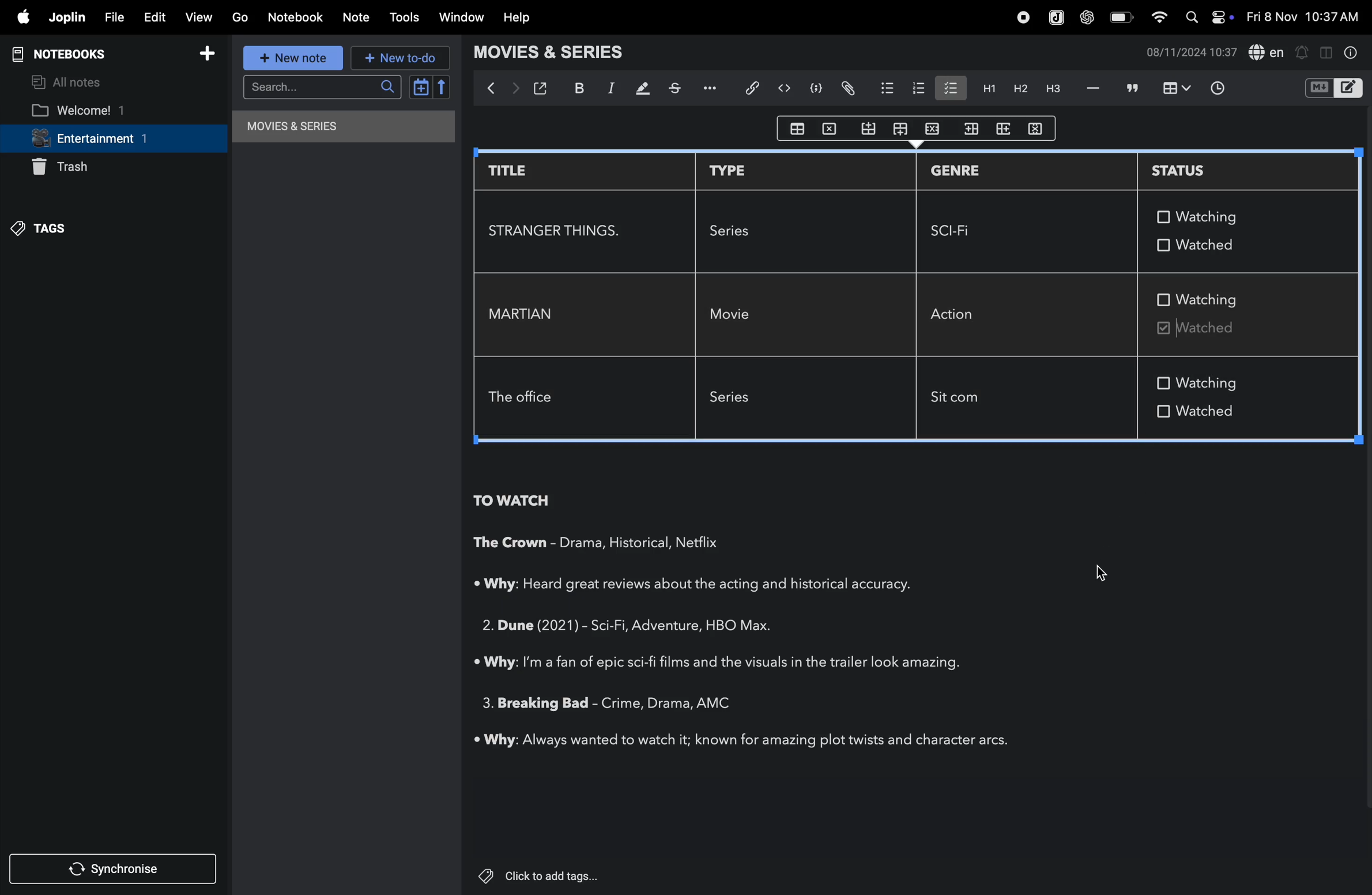 The width and height of the screenshot is (1372, 895). I want to click on info, so click(1354, 54).